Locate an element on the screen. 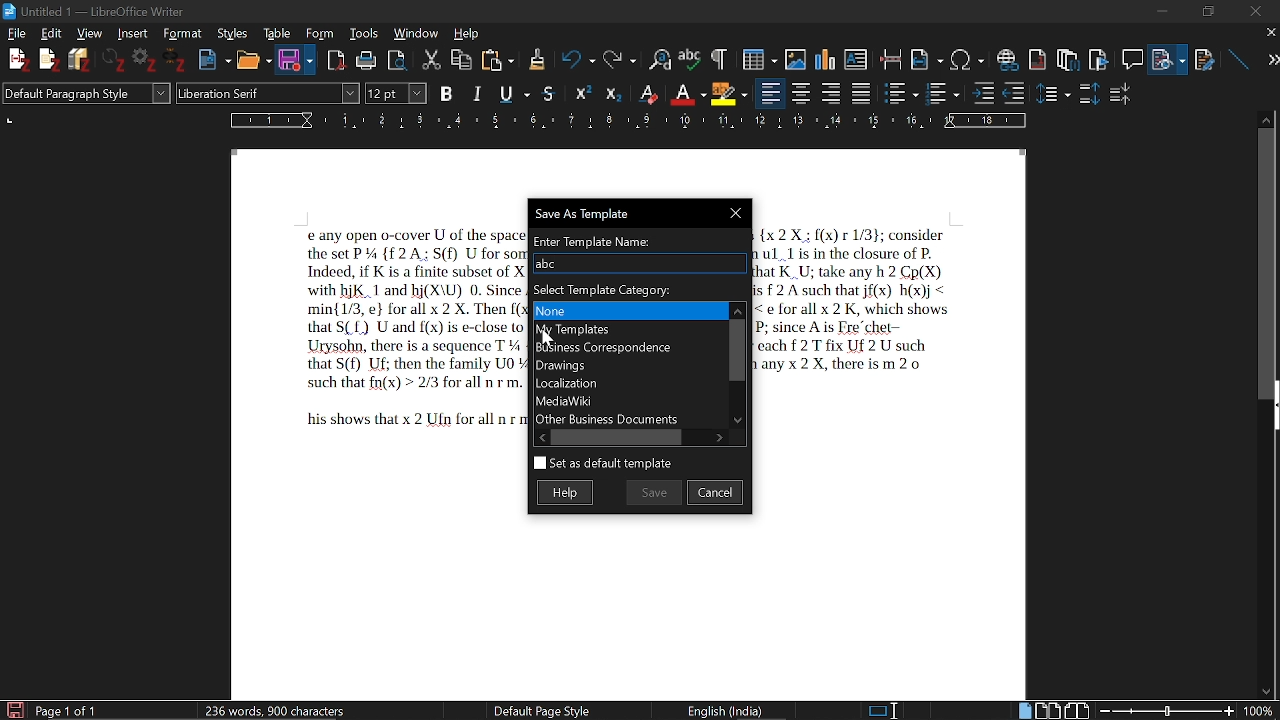 This screenshot has height=720, width=1280. Move down is located at coordinates (740, 421).